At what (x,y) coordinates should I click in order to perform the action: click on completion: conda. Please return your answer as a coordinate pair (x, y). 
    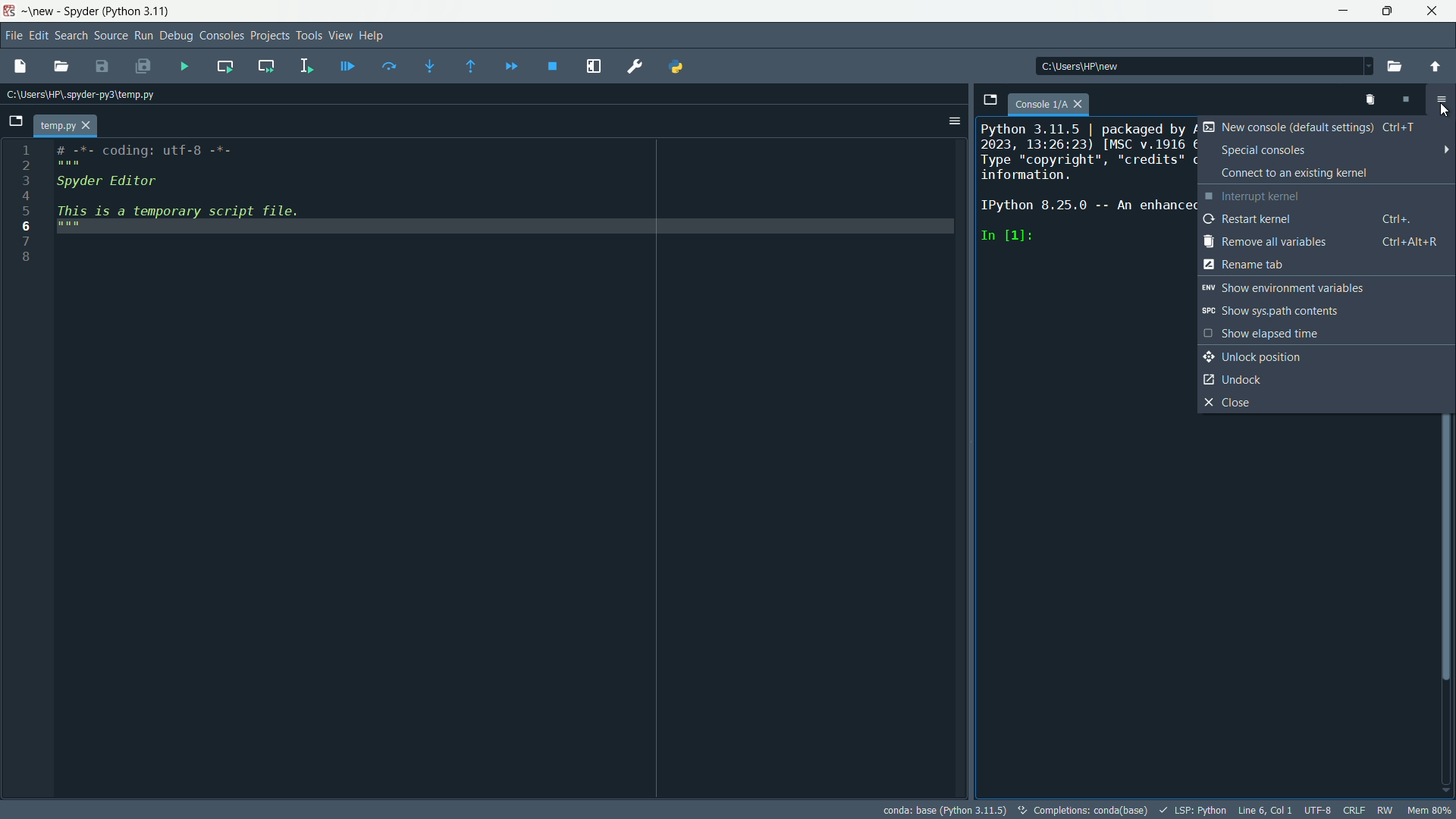
    Looking at the image, I should click on (1080, 810).